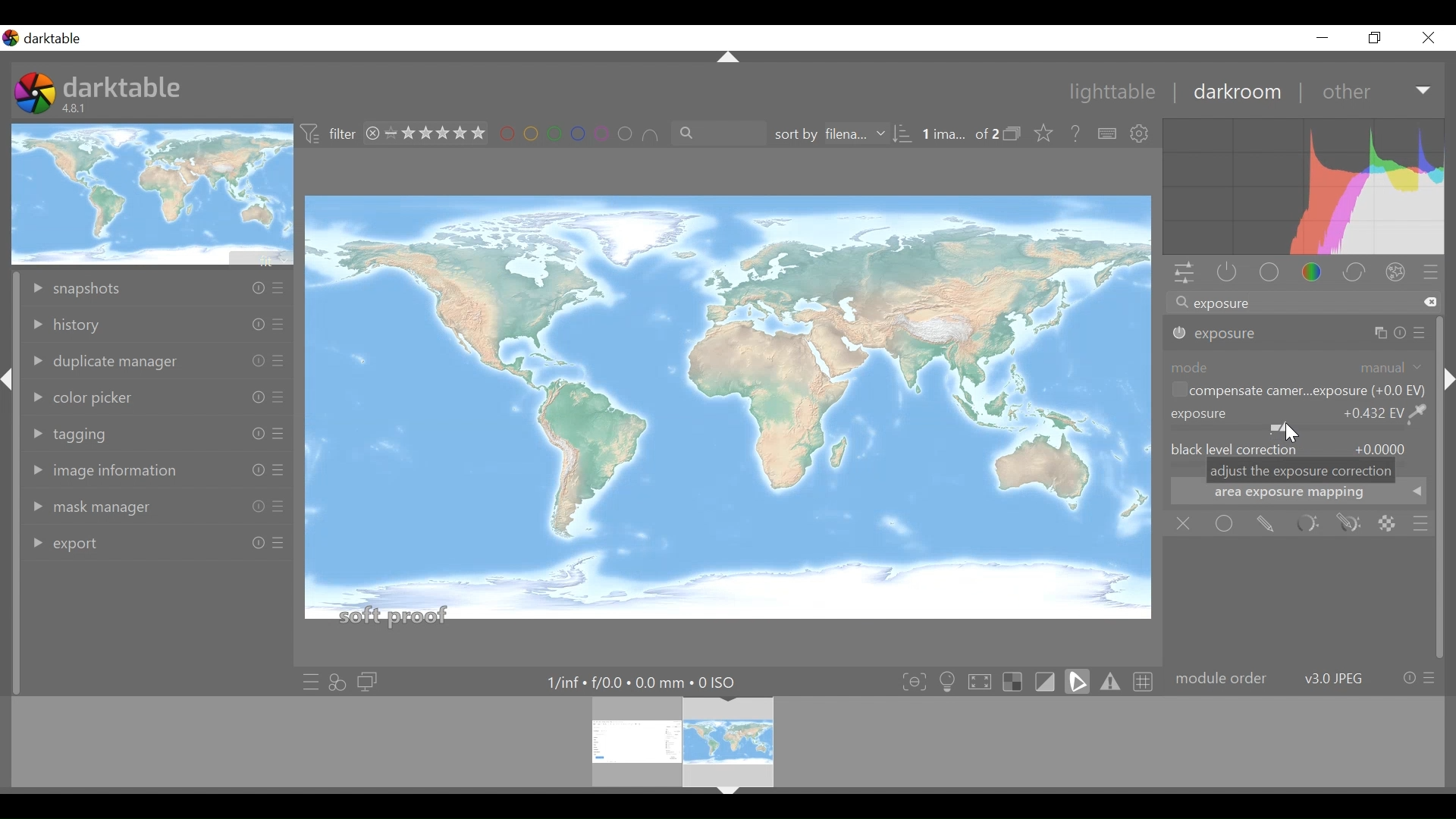  I want to click on show global preferences, so click(1141, 134).